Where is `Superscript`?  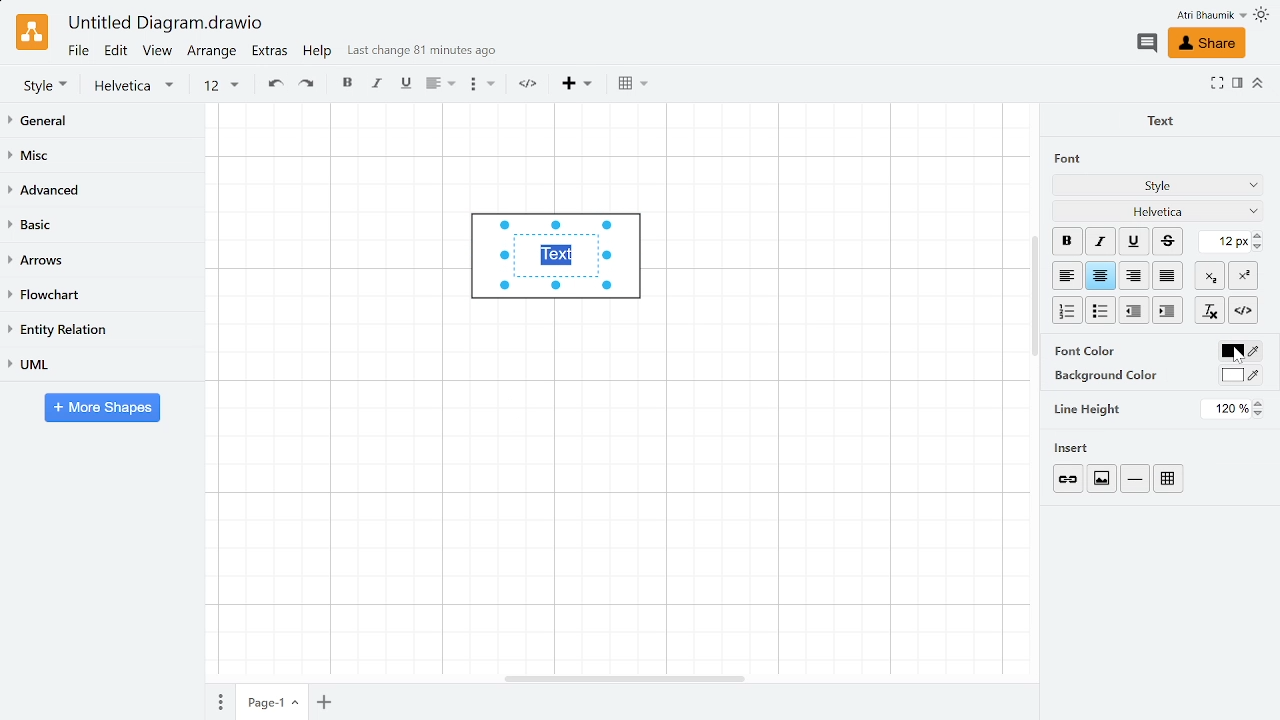 Superscript is located at coordinates (1243, 274).